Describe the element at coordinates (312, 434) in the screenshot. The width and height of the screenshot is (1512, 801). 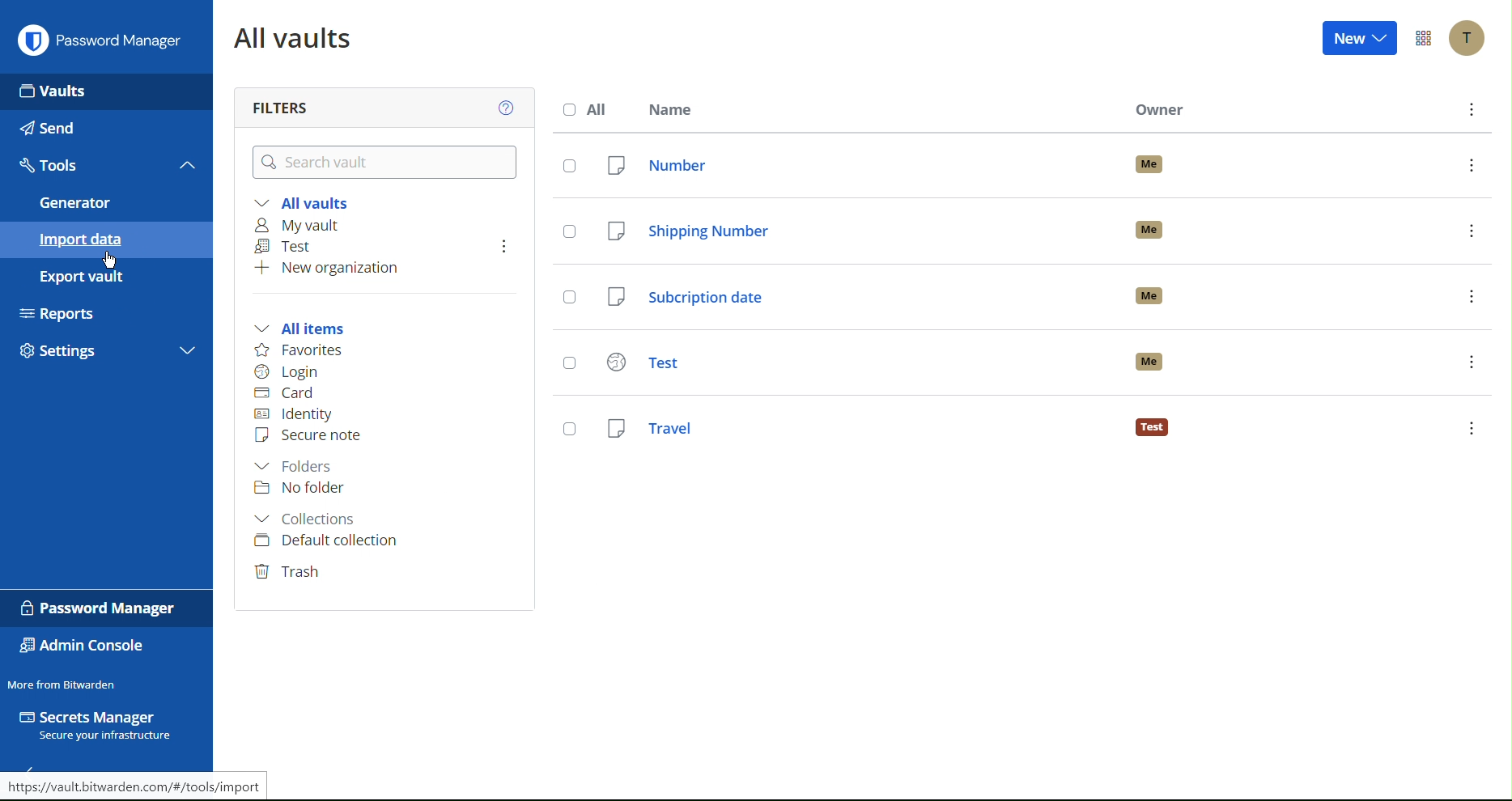
I see `Secure note` at that location.